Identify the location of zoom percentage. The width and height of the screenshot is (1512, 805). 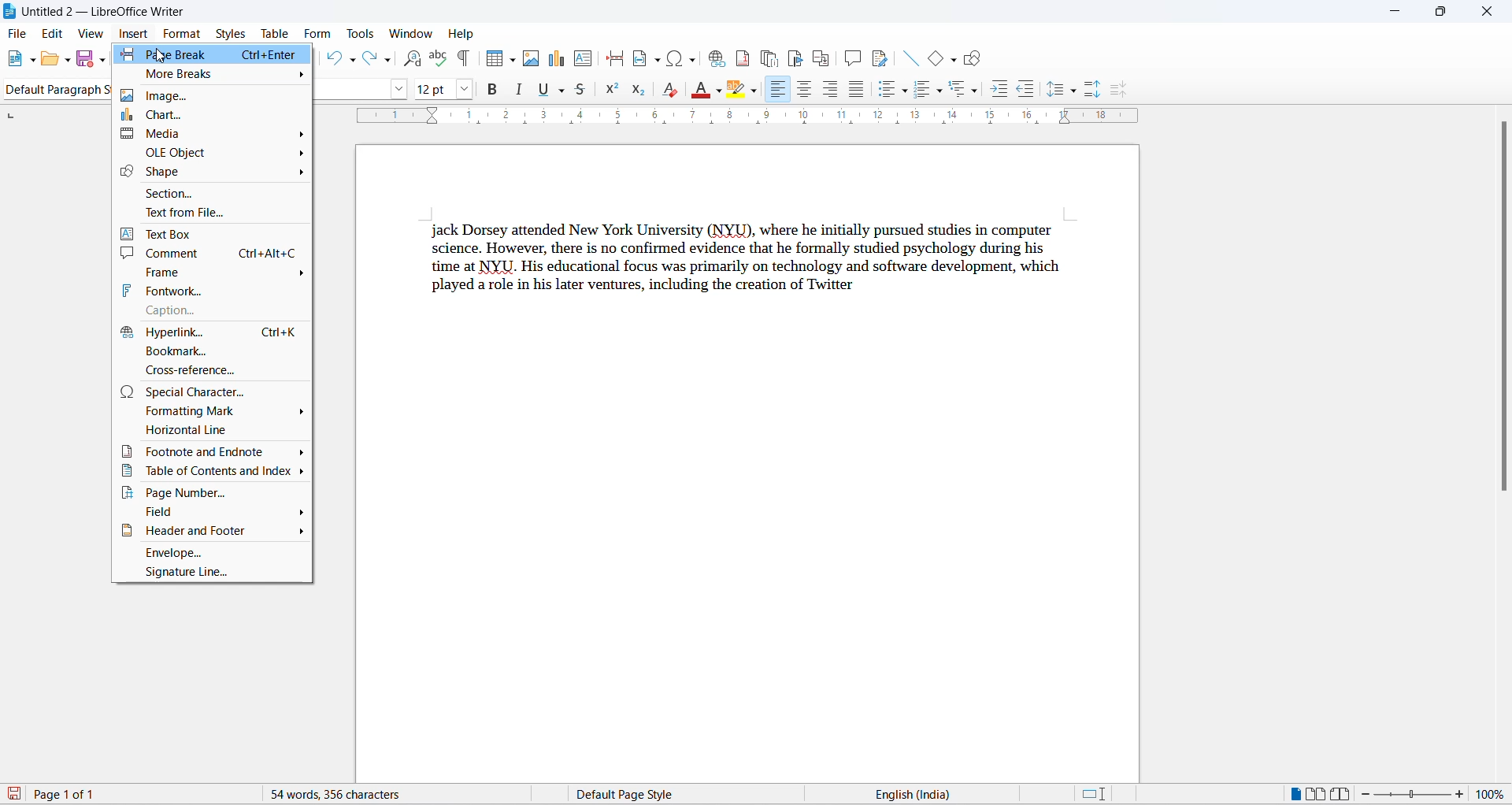
(1494, 796).